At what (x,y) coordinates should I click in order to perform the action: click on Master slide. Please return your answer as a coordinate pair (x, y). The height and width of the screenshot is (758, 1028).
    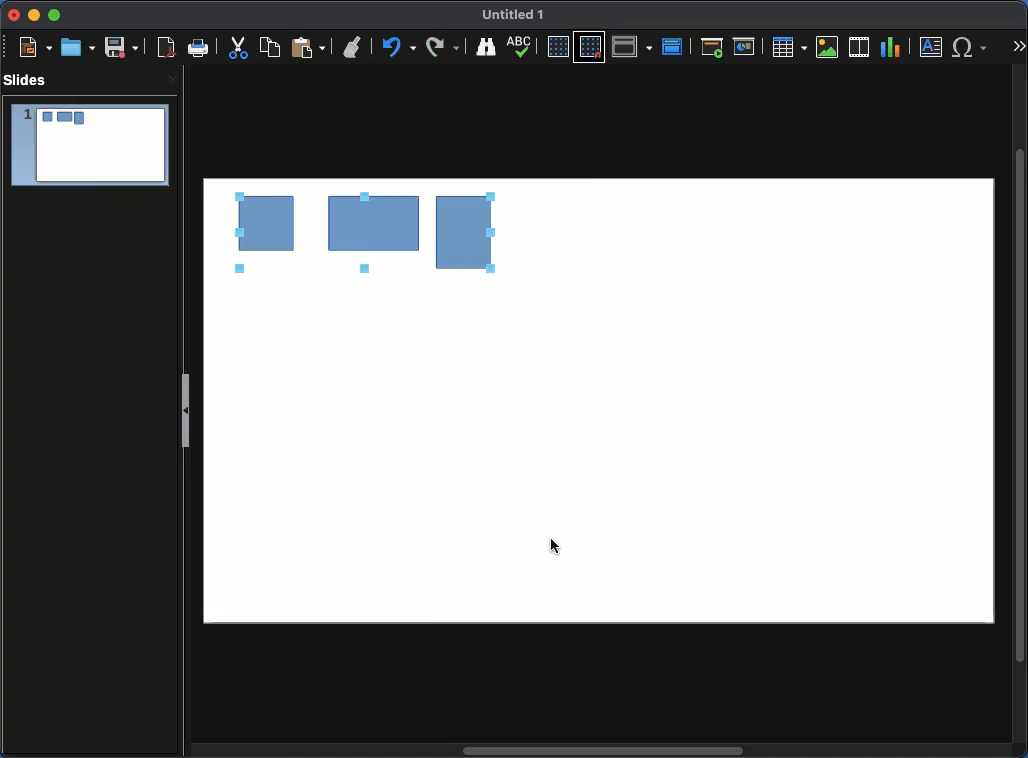
    Looking at the image, I should click on (675, 45).